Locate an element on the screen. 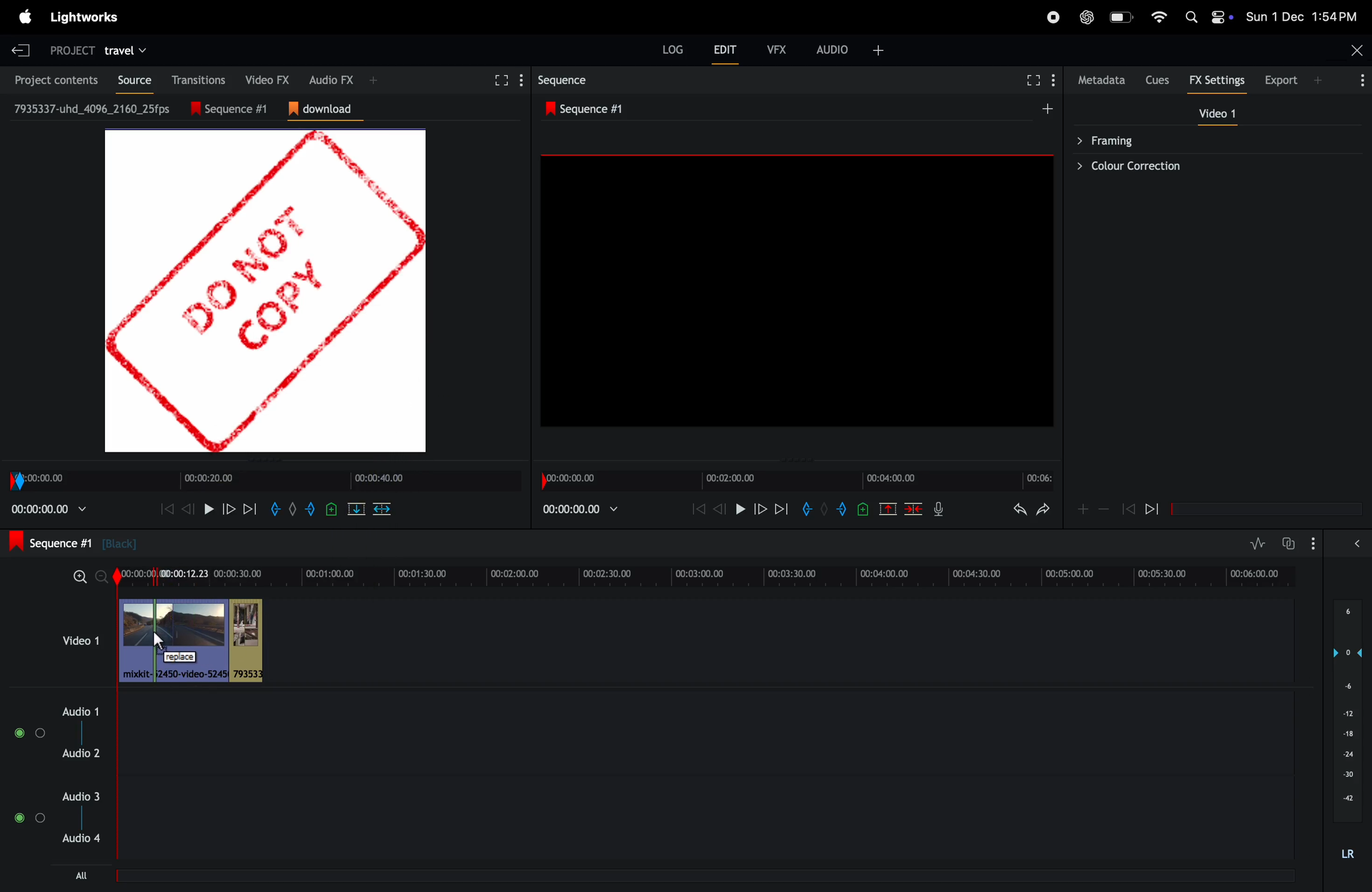 Image resolution: width=1372 pixels, height=892 pixels. output frame is located at coordinates (797, 290).